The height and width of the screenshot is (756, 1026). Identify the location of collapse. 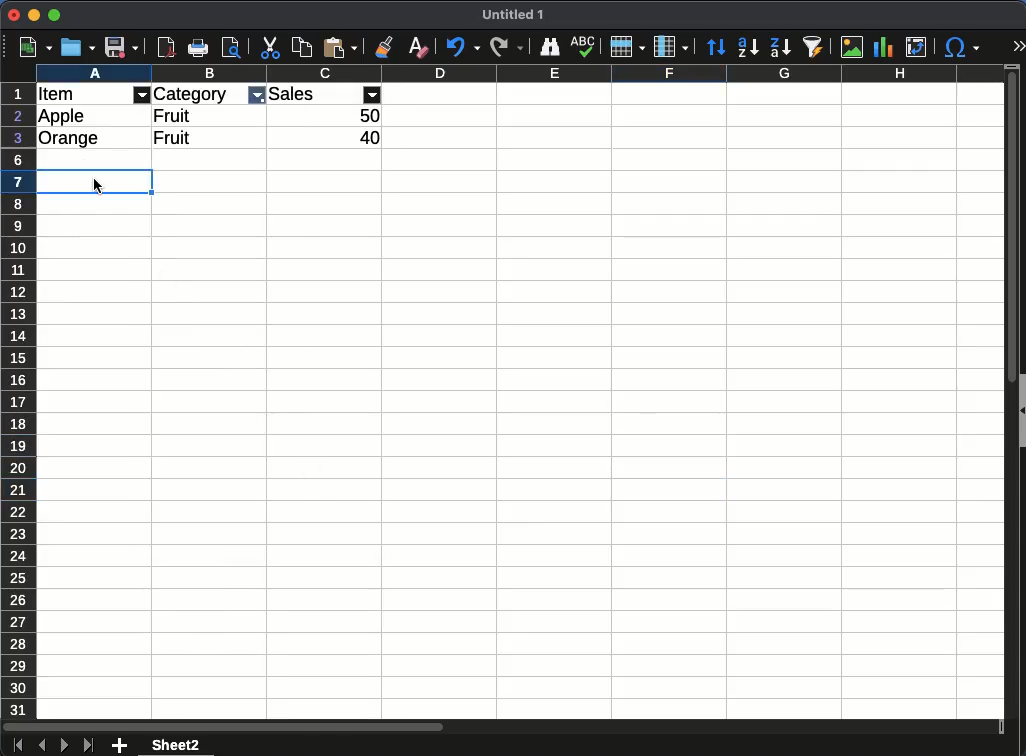
(1020, 409).